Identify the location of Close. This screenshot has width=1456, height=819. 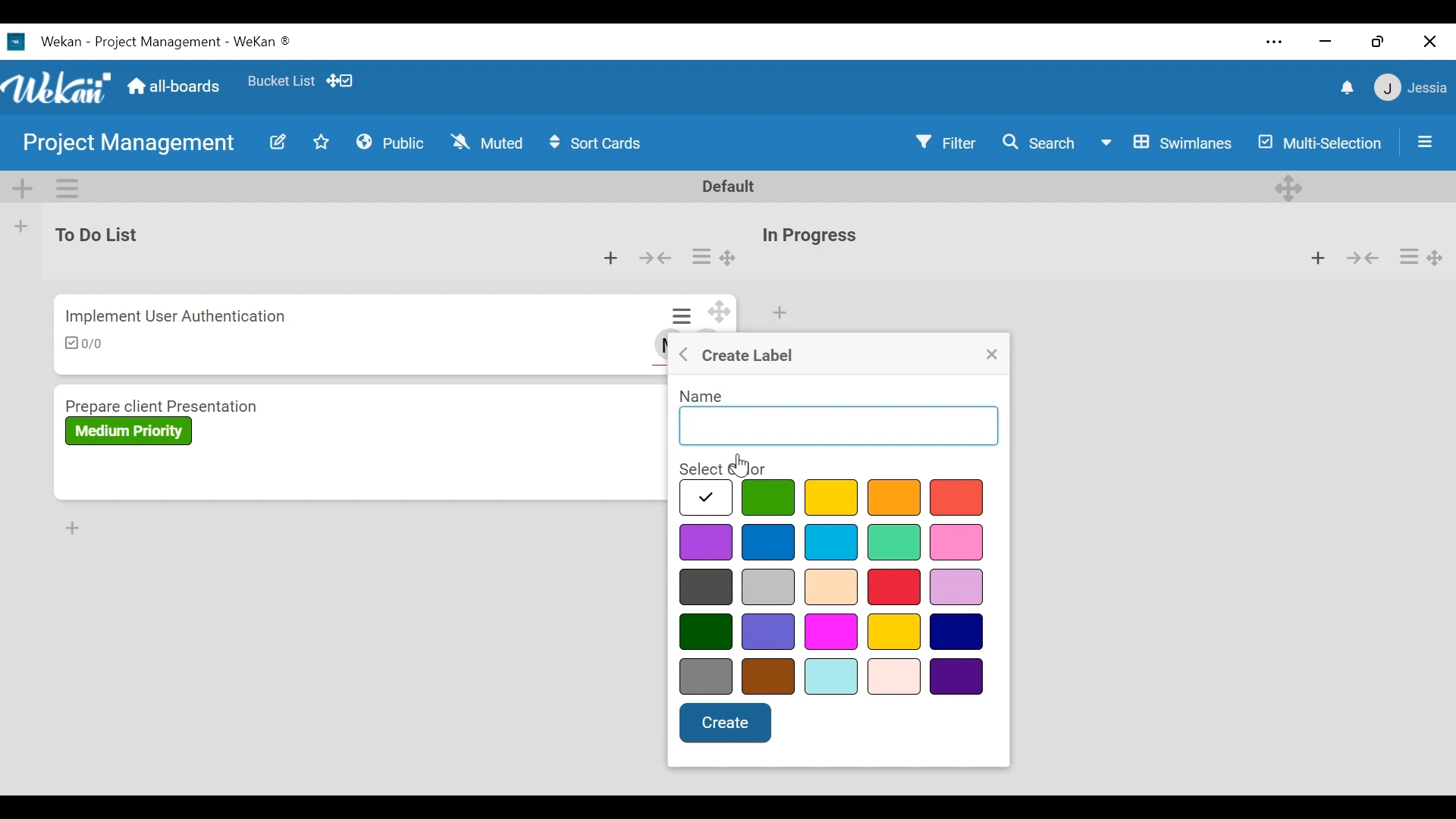
(993, 355).